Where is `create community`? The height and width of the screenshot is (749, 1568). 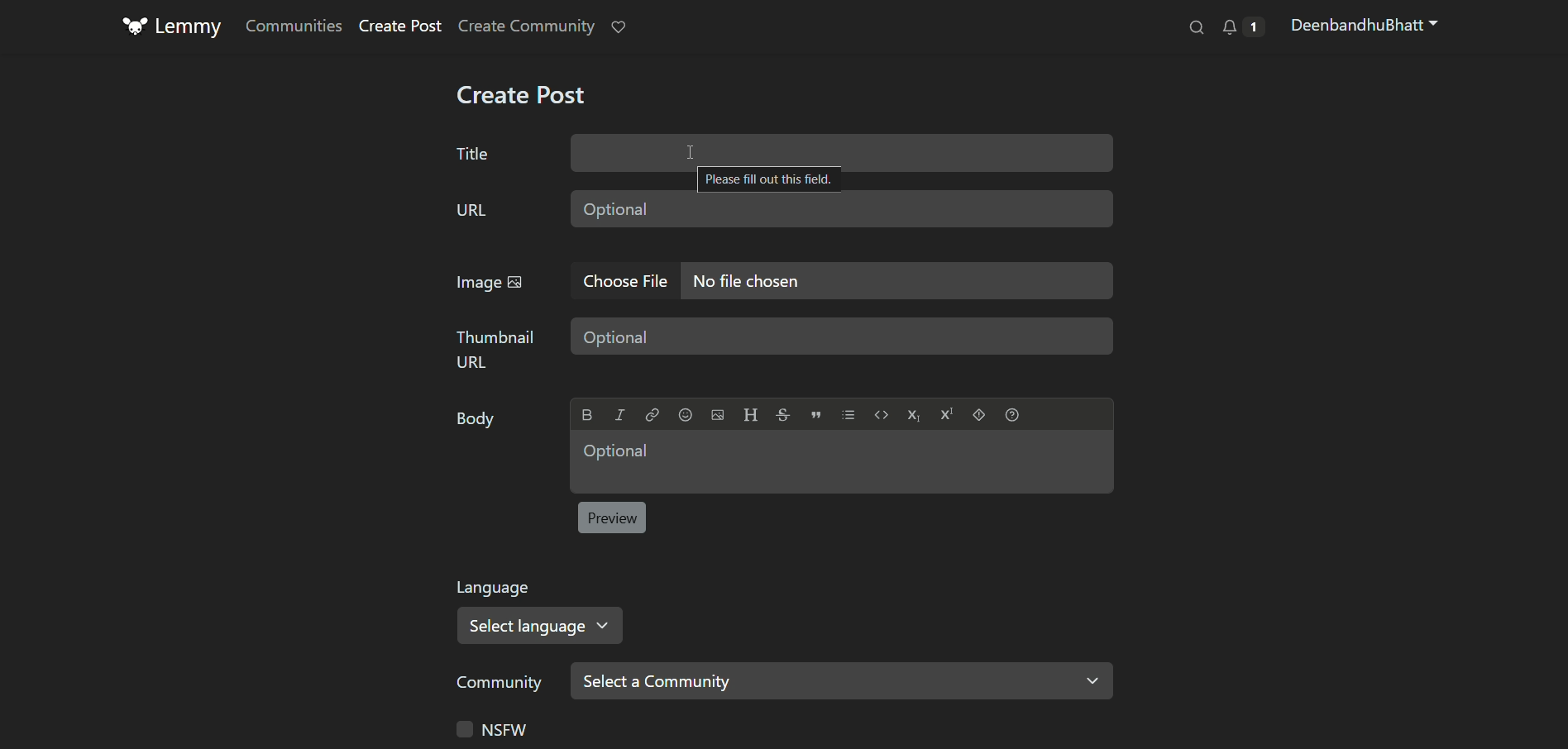 create community is located at coordinates (528, 26).